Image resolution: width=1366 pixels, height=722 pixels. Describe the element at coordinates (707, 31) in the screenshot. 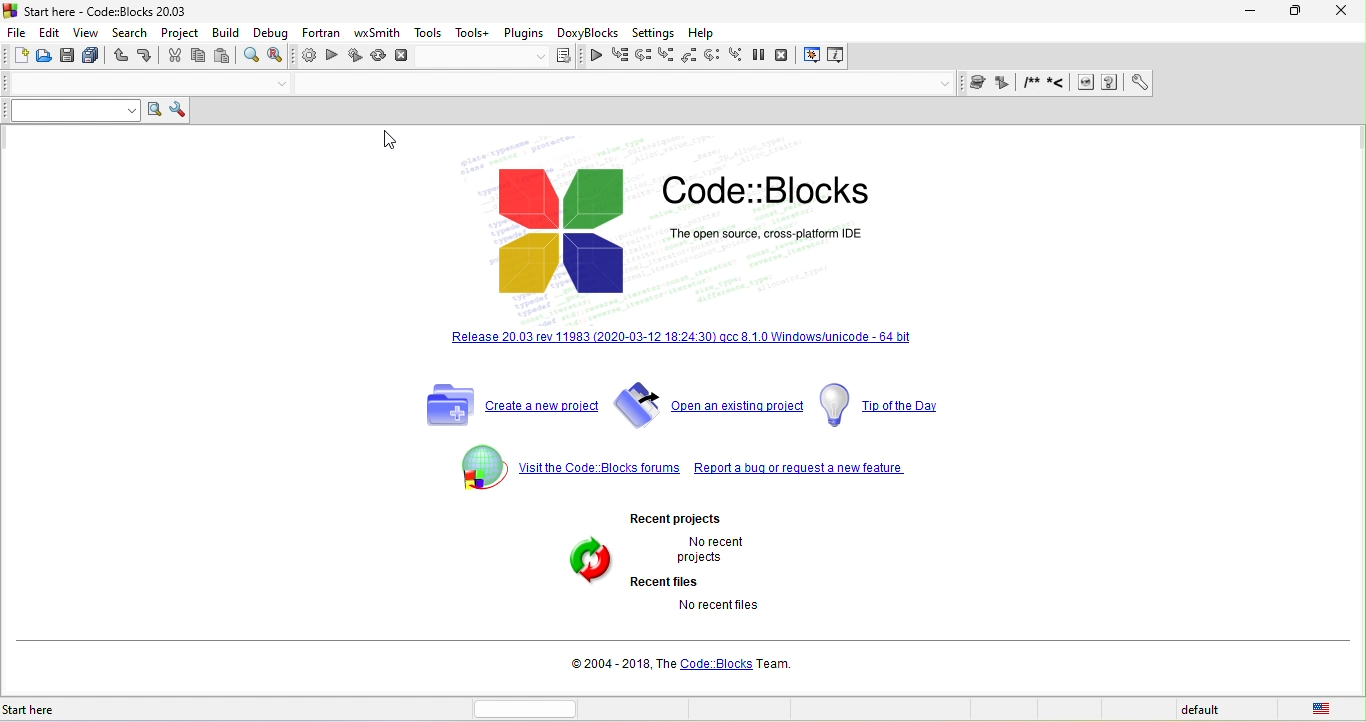

I see `help` at that location.